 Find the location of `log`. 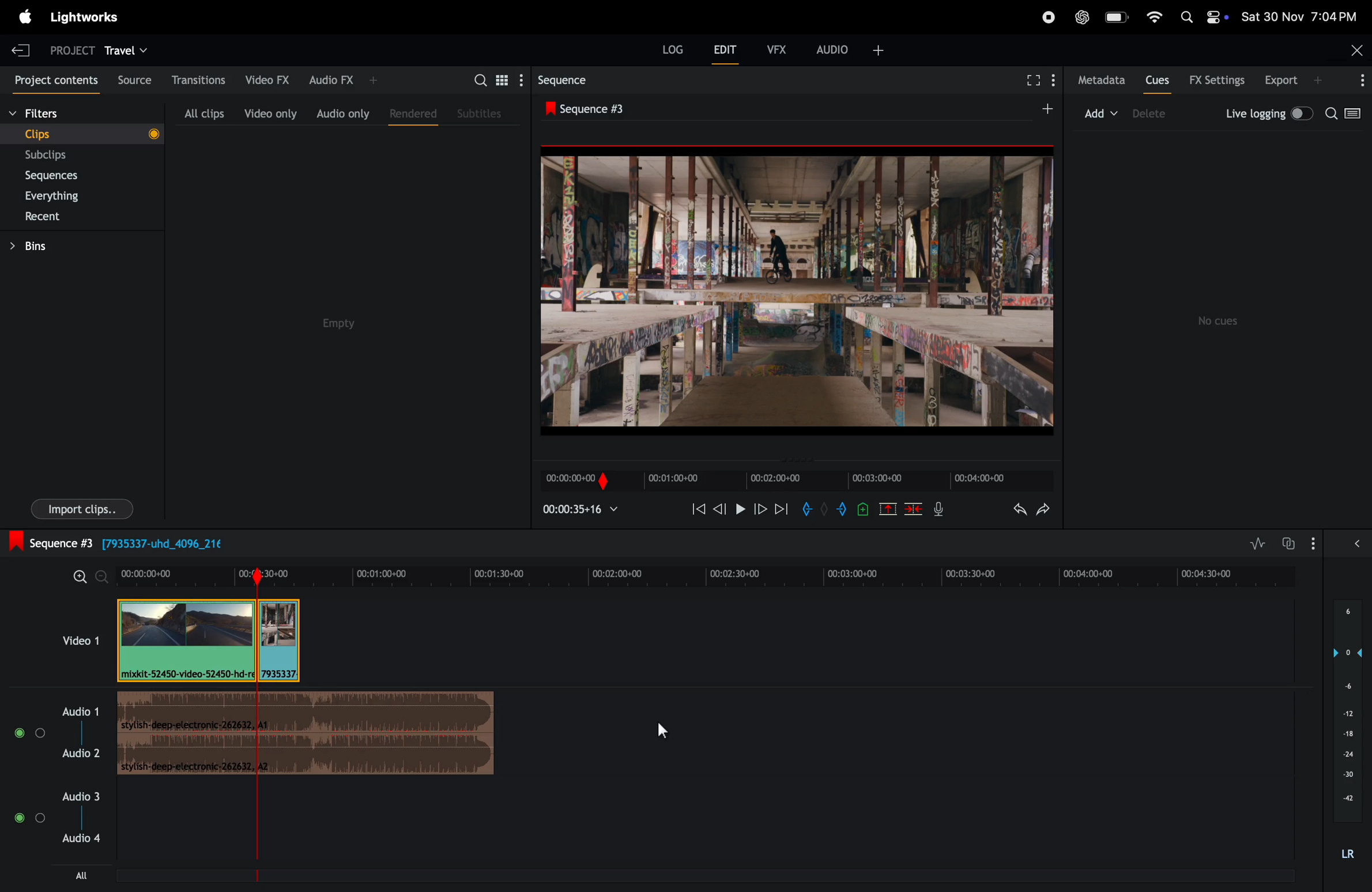

log is located at coordinates (666, 53).